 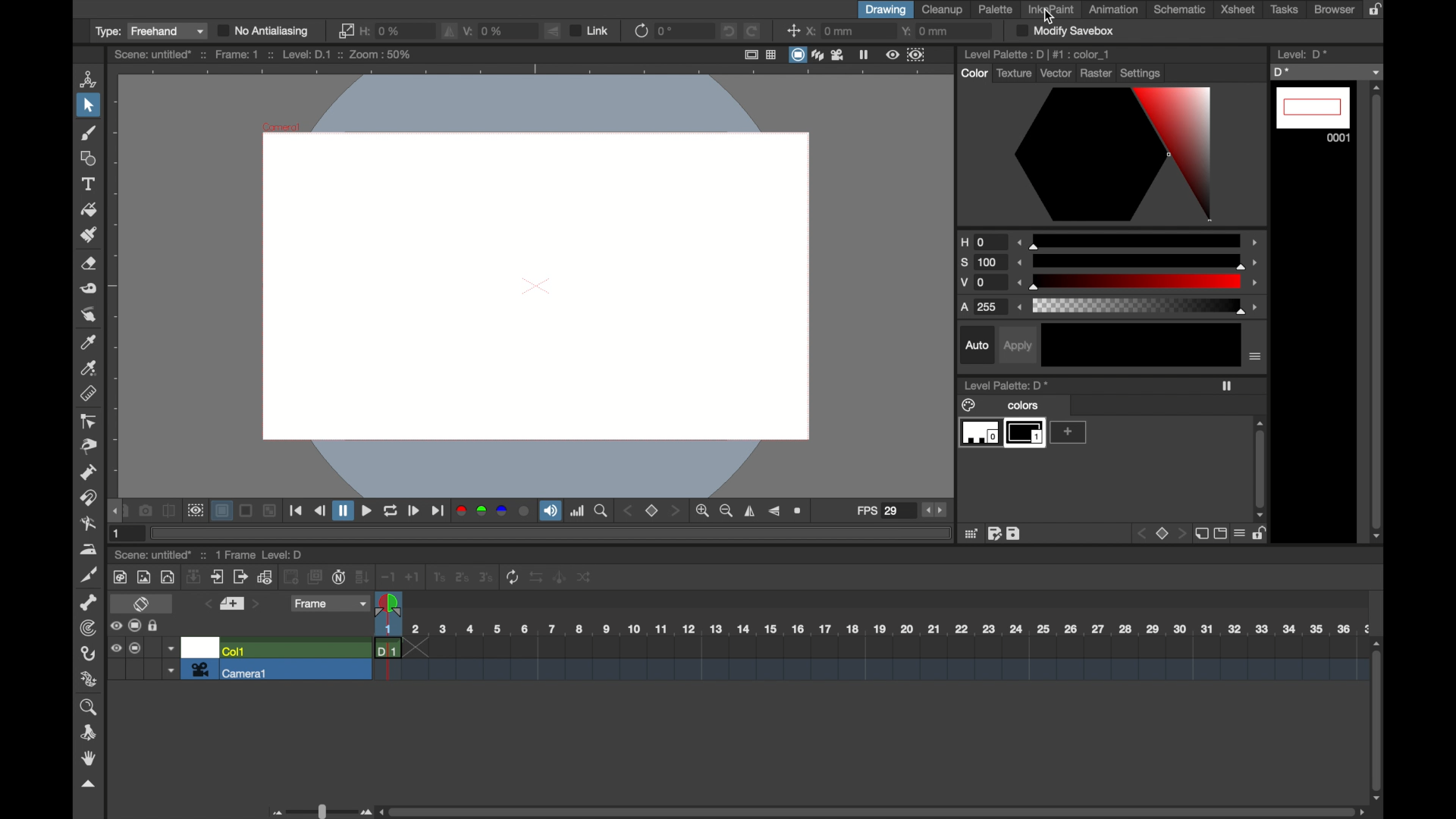 What do you see at coordinates (87, 394) in the screenshot?
I see `ruler tool` at bounding box center [87, 394].